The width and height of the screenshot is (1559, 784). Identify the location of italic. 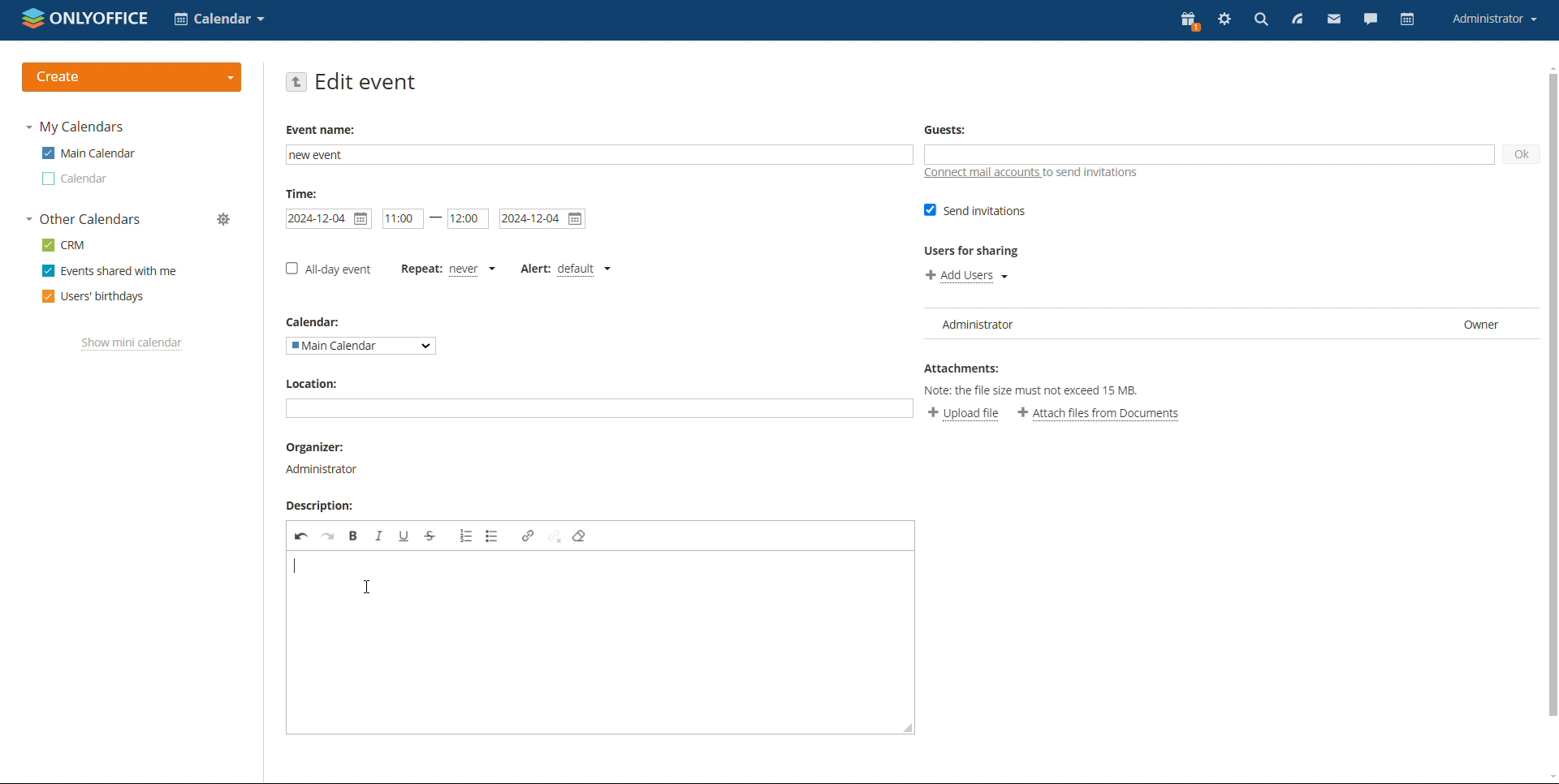
(378, 536).